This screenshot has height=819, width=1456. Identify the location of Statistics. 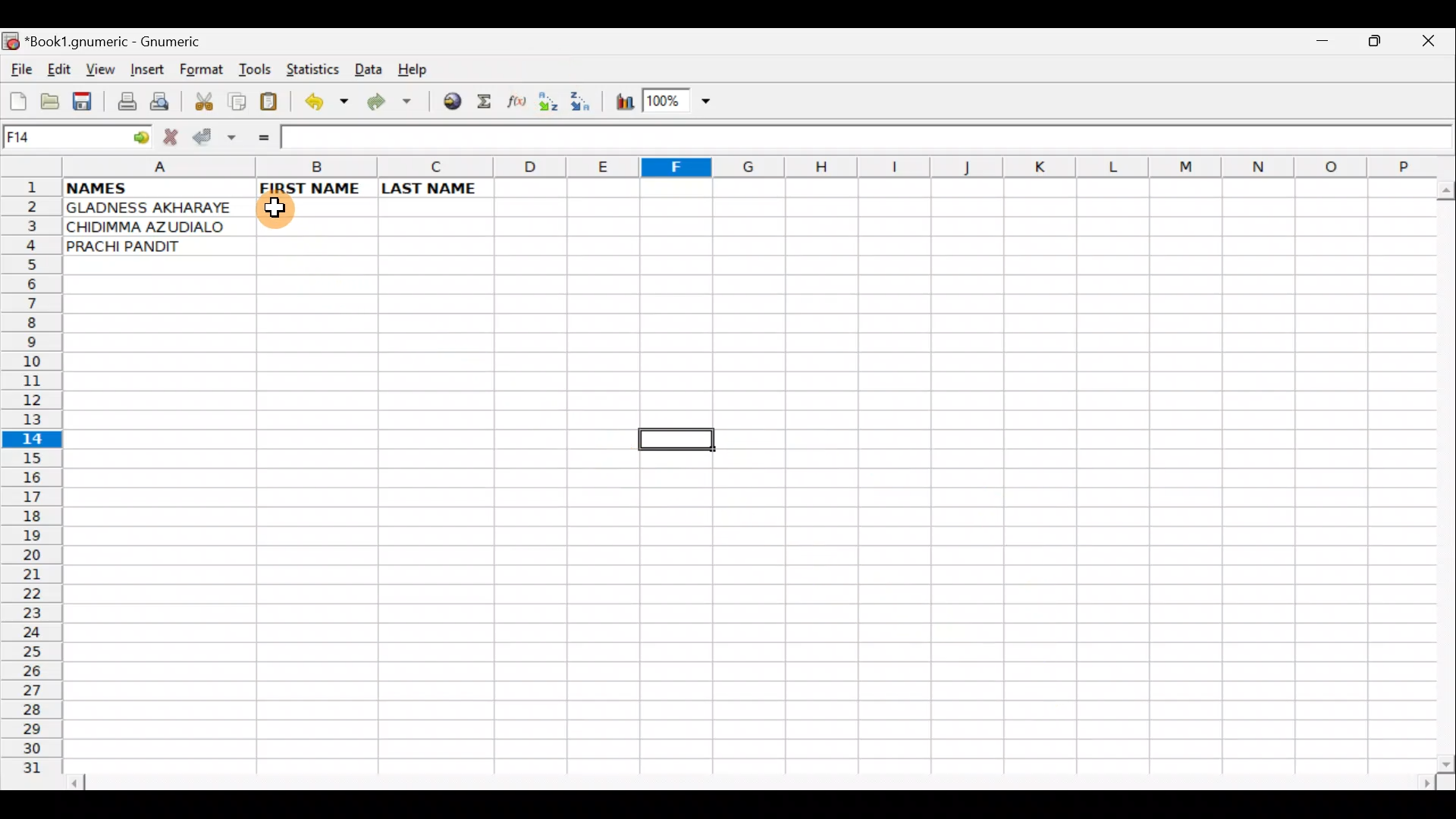
(315, 68).